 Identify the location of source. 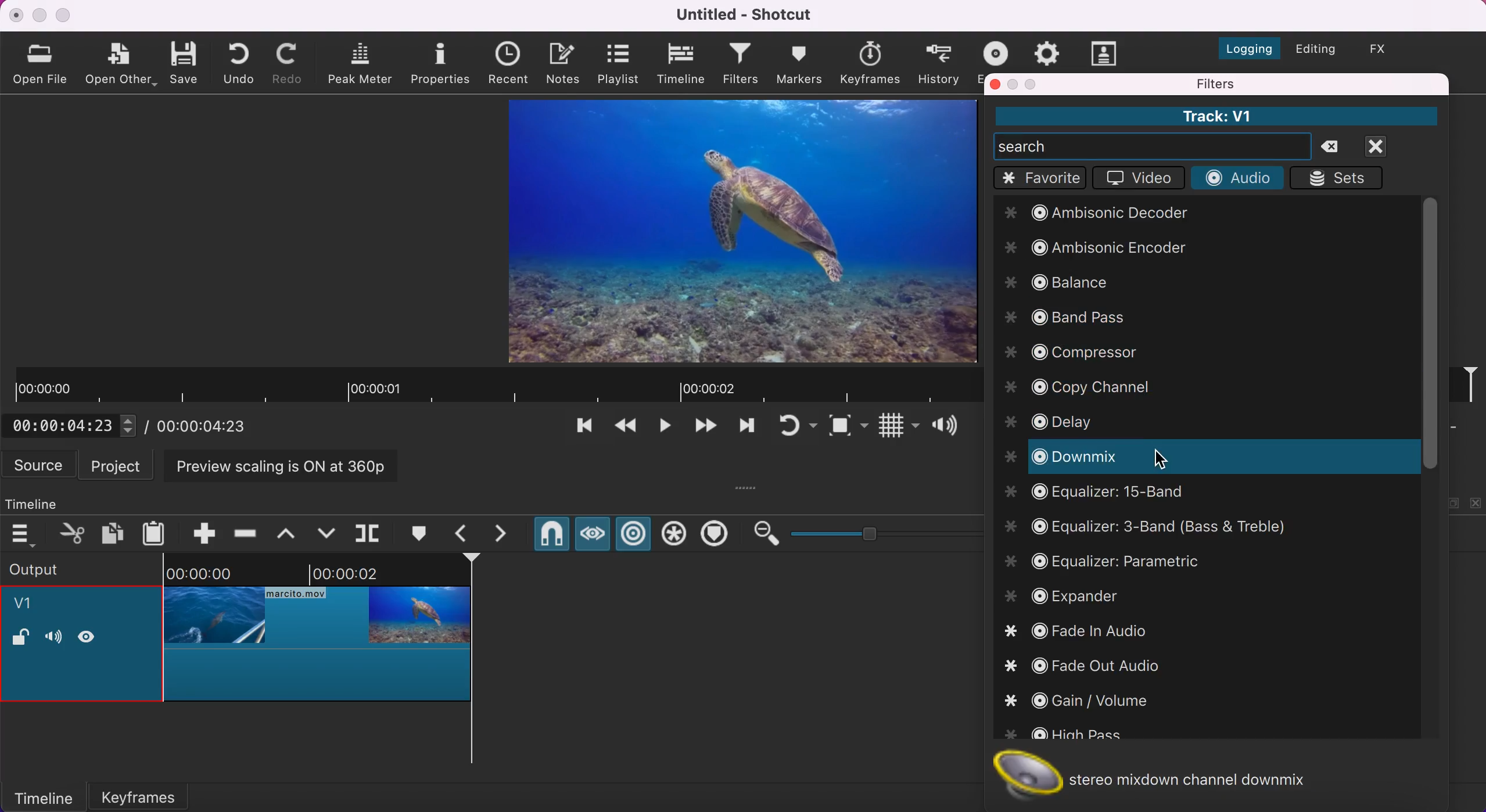
(40, 465).